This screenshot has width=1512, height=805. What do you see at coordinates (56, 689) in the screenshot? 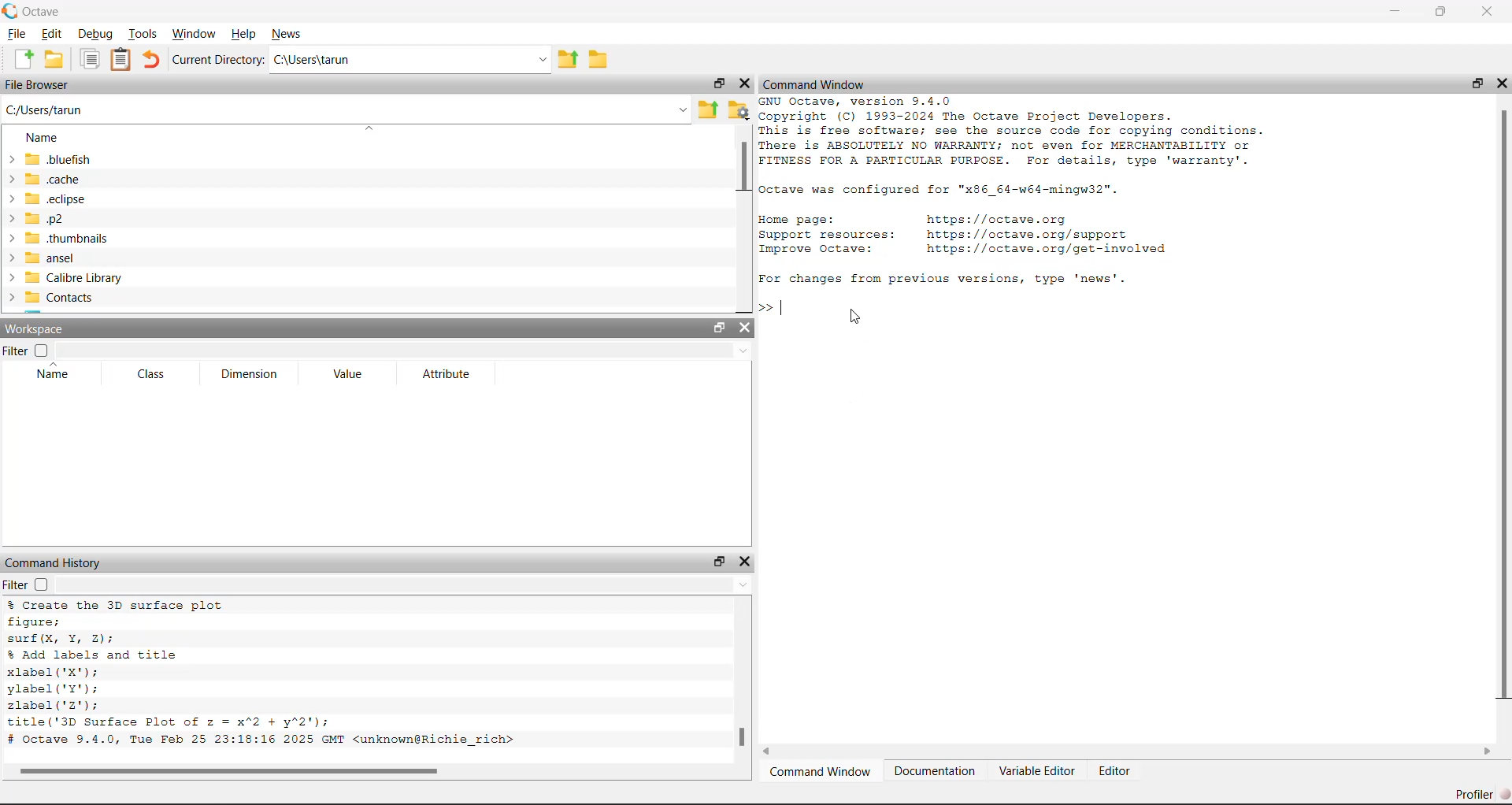
I see `ylabel('Y');` at bounding box center [56, 689].